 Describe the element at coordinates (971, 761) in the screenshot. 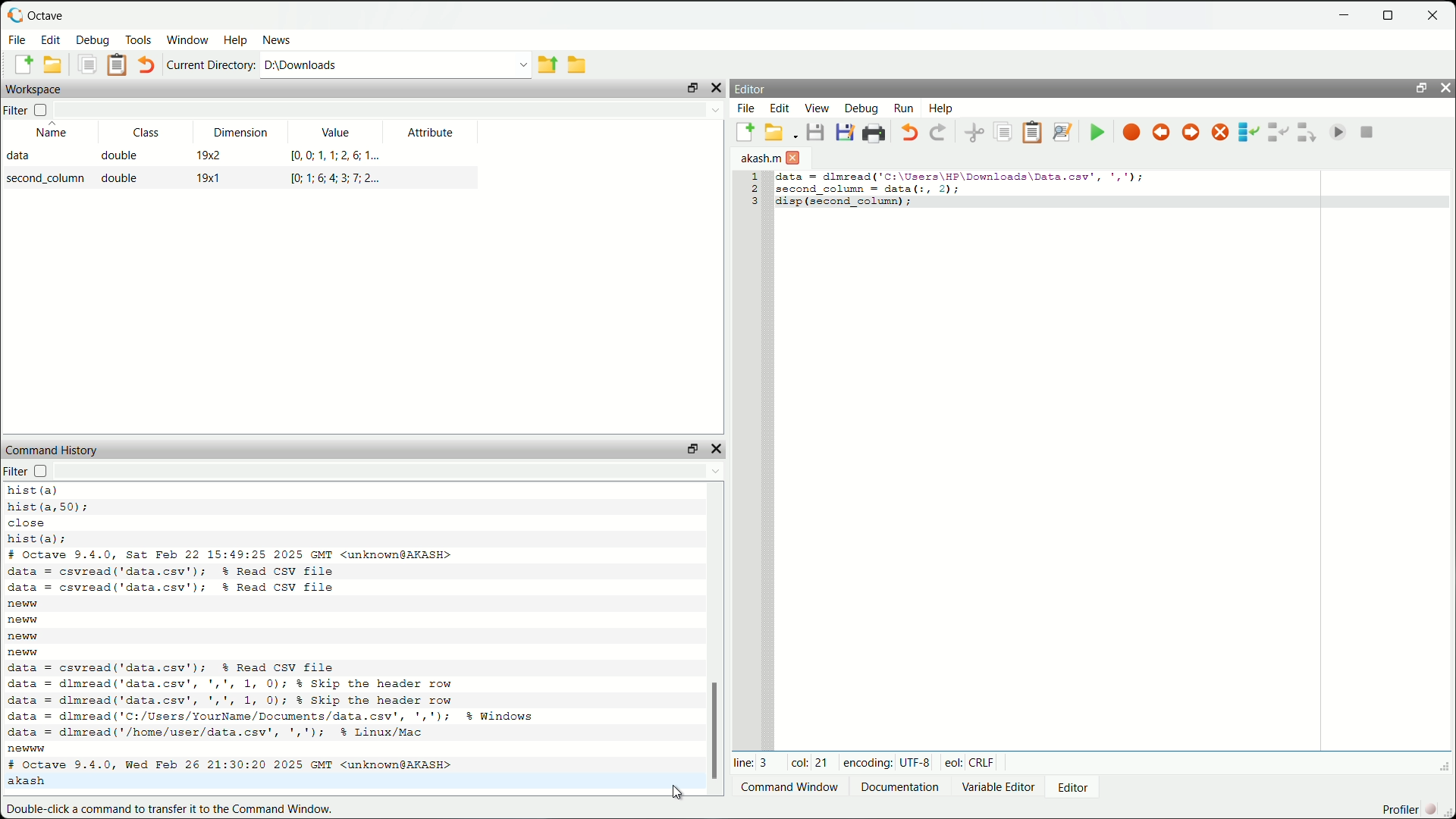

I see `eol: Crlf` at that location.